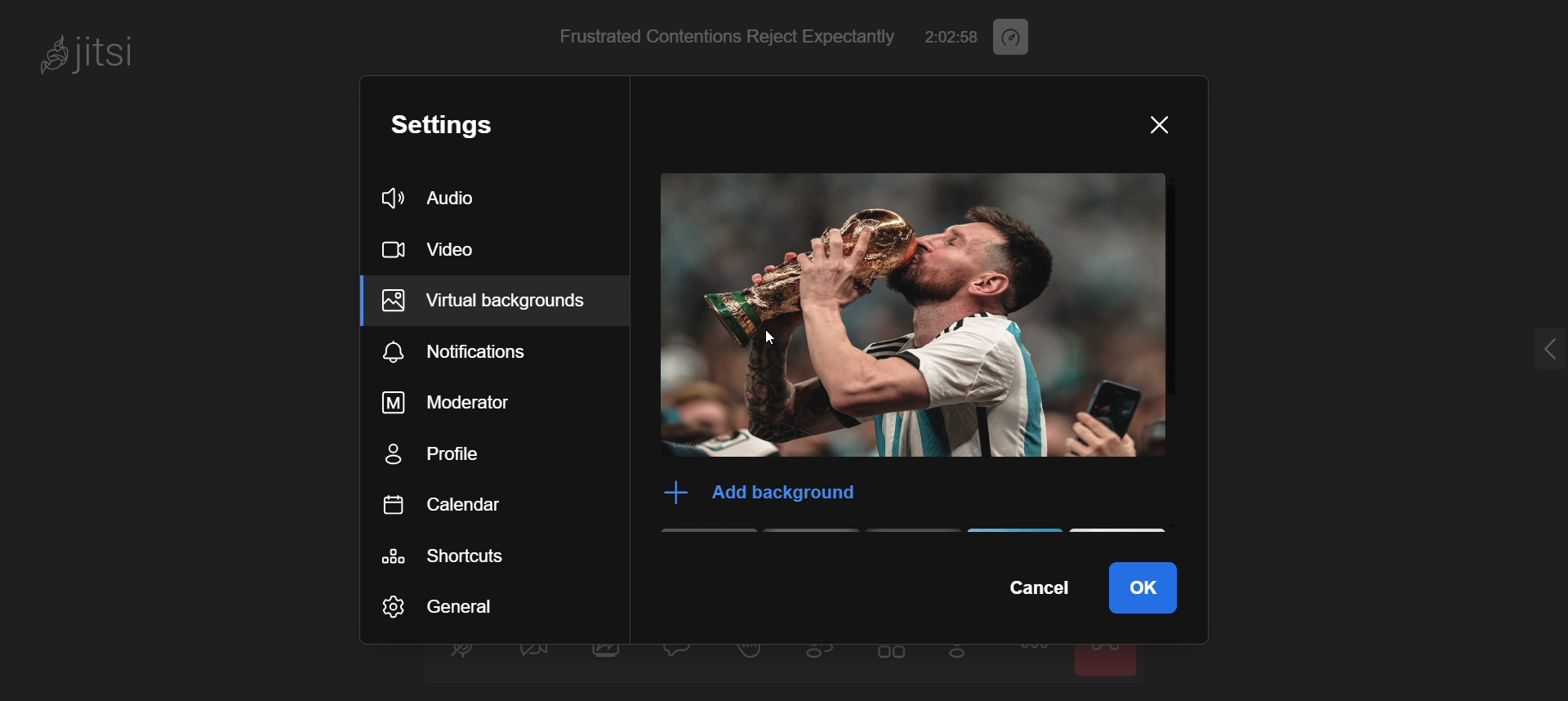 Image resolution: width=1568 pixels, height=701 pixels. What do you see at coordinates (962, 655) in the screenshot?
I see `add participants` at bounding box center [962, 655].